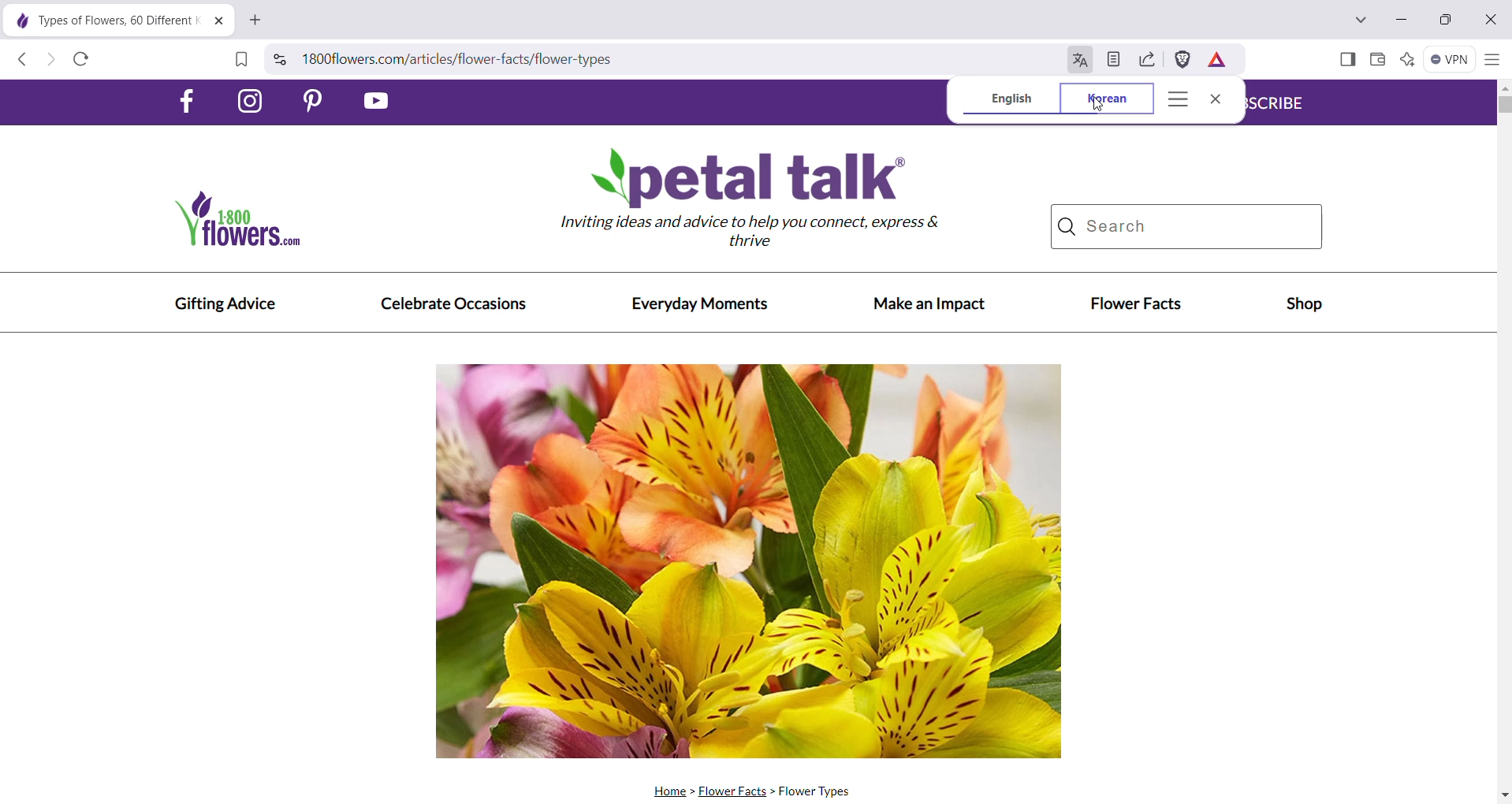  I want to click on View site information, so click(281, 58).